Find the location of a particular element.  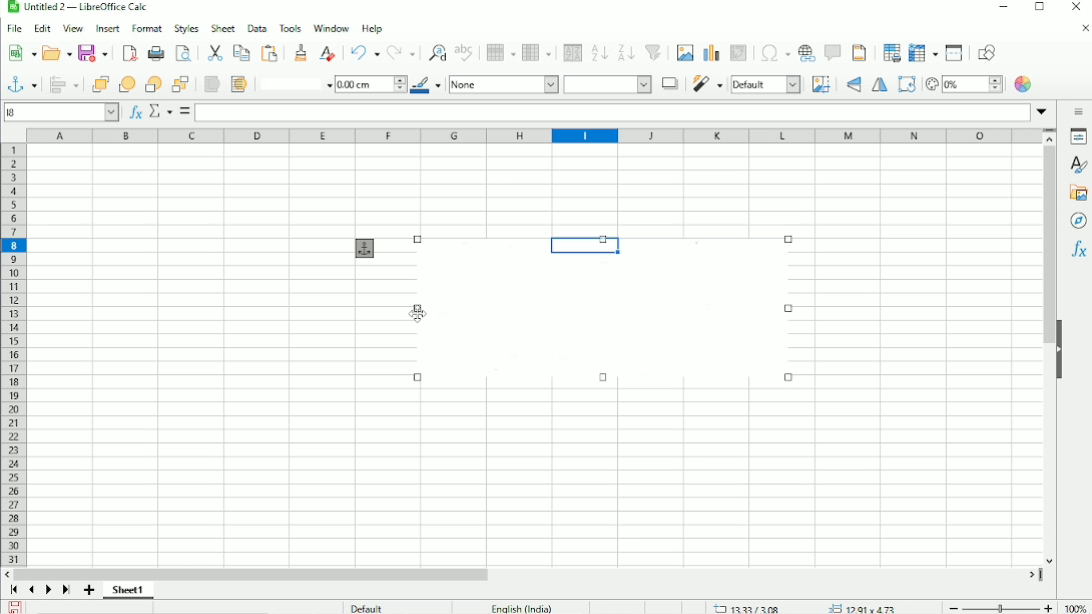

Send to back is located at coordinates (181, 83).